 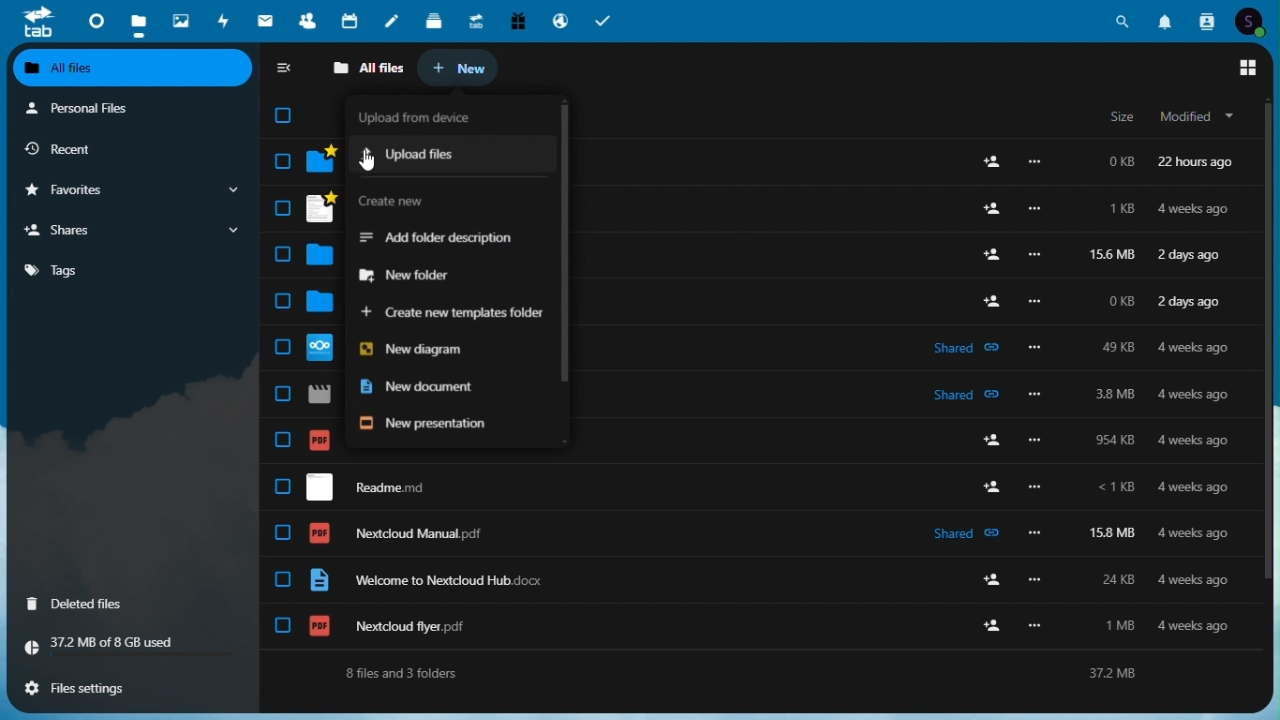 What do you see at coordinates (516, 20) in the screenshot?
I see `Free trial` at bounding box center [516, 20].